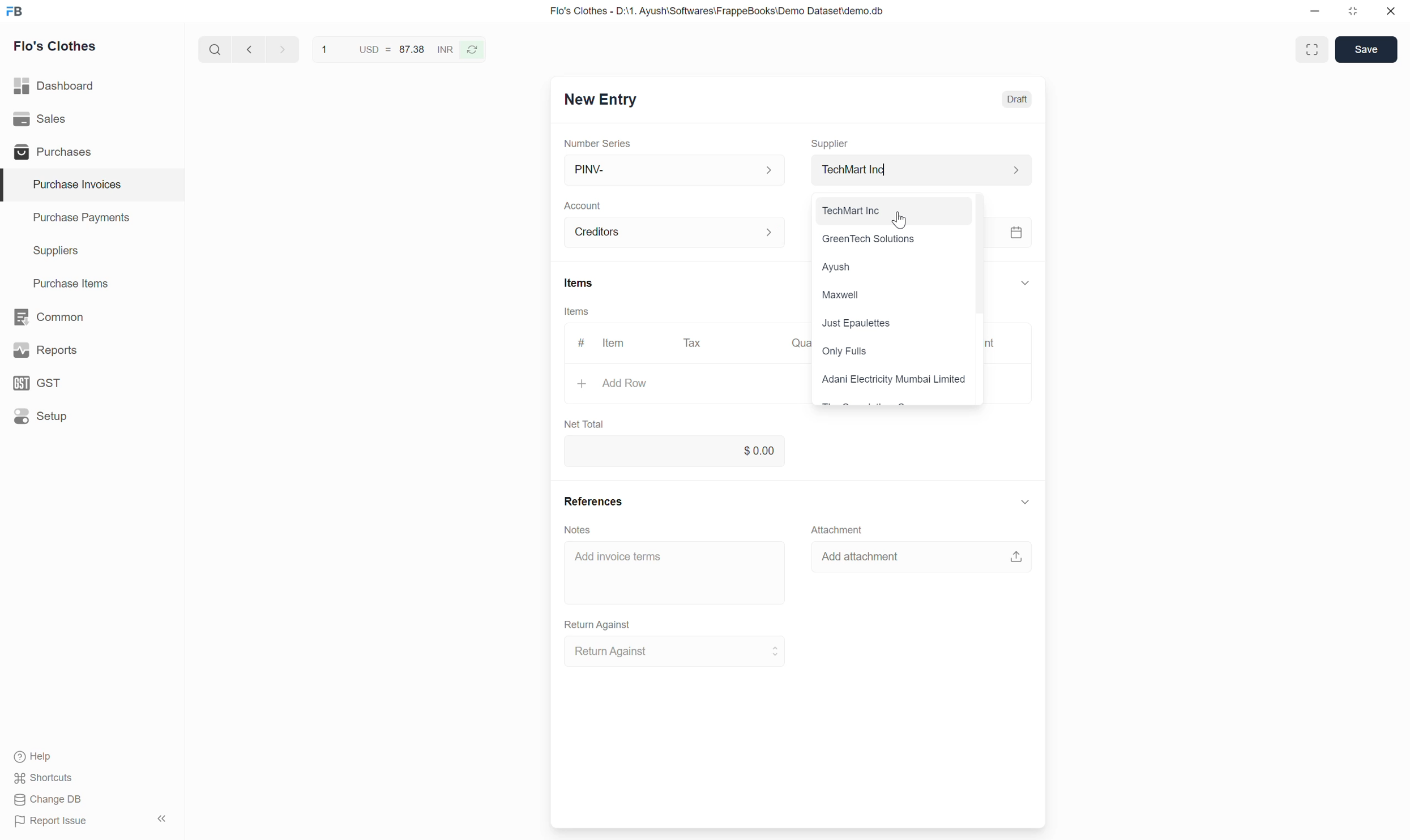 This screenshot has width=1410, height=840. I want to click on Add attachment , so click(920, 559).